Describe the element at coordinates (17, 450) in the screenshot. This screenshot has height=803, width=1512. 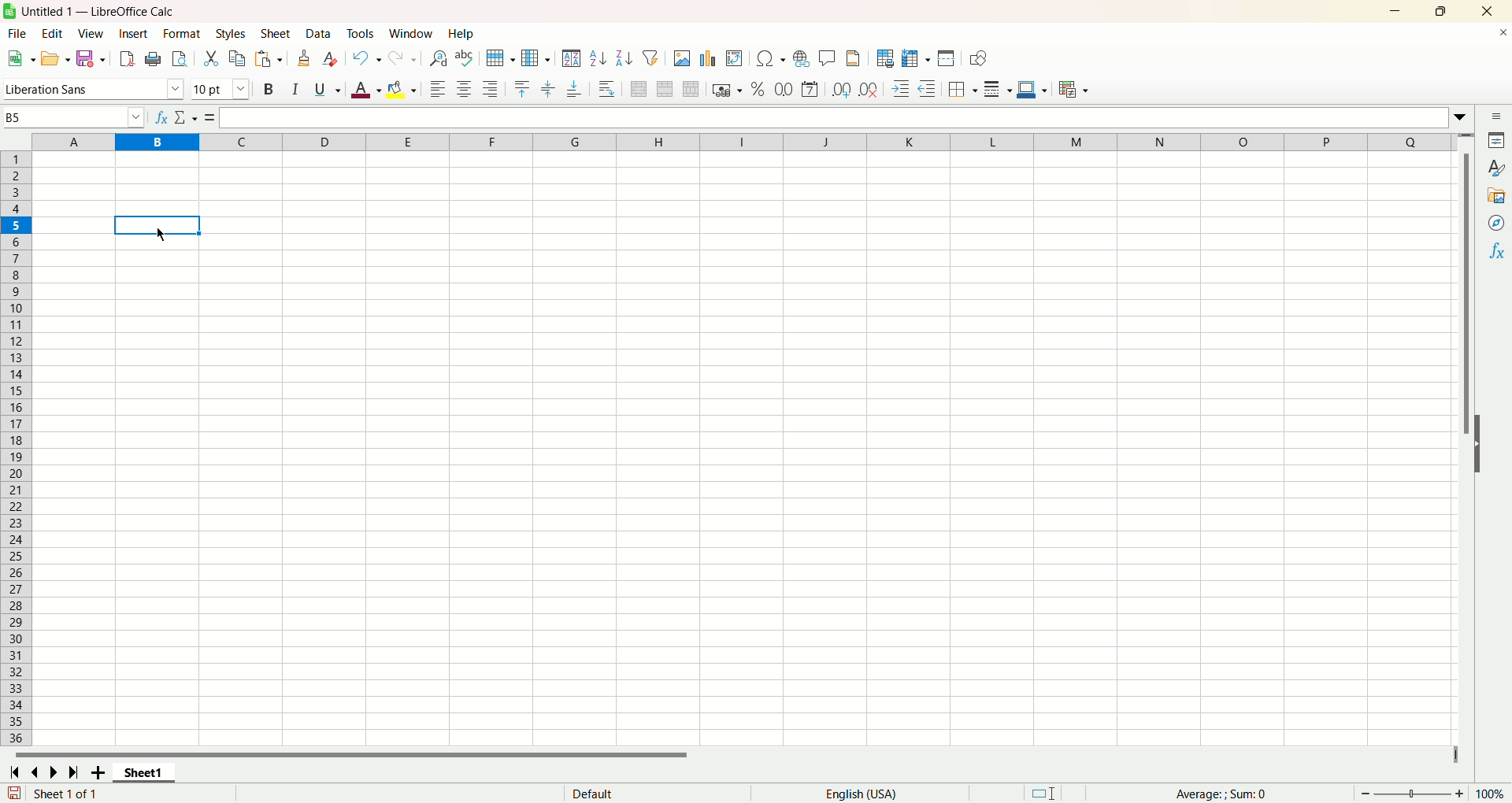
I see `rows` at that location.